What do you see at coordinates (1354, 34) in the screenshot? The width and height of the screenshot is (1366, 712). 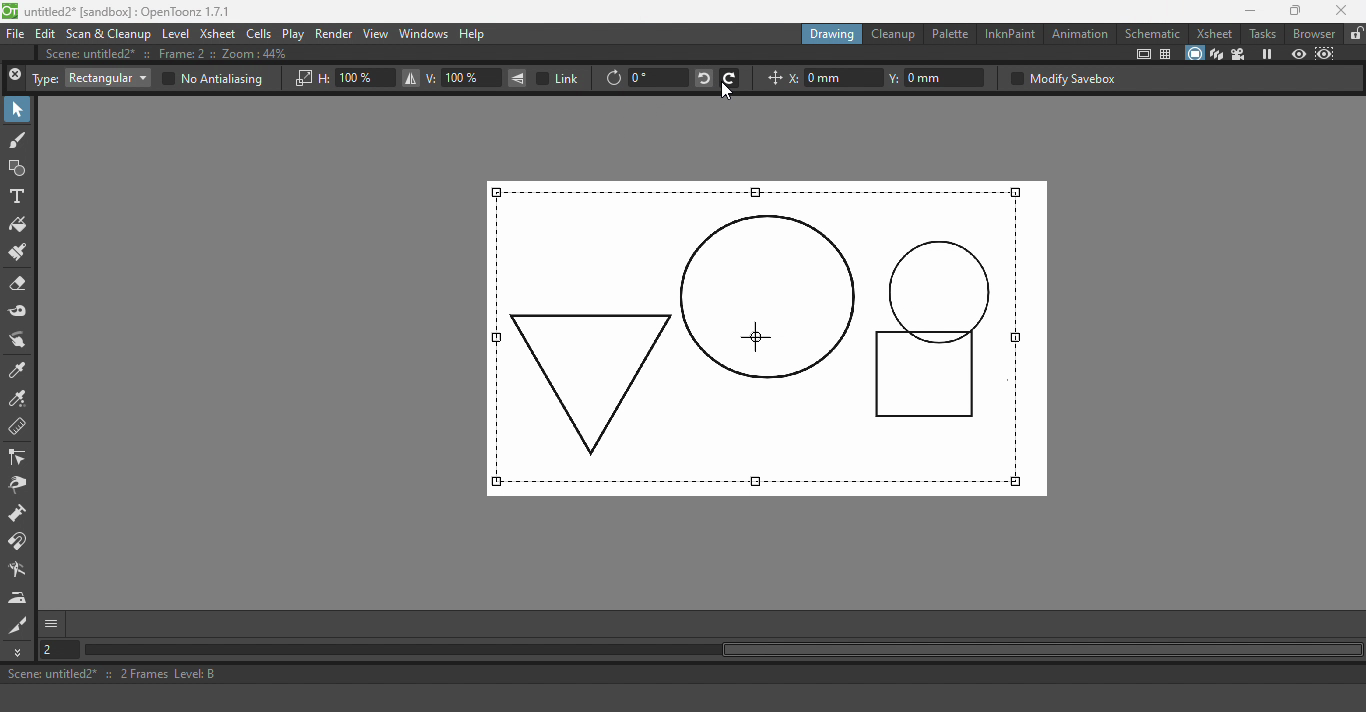 I see `Lock rooms tab` at bounding box center [1354, 34].